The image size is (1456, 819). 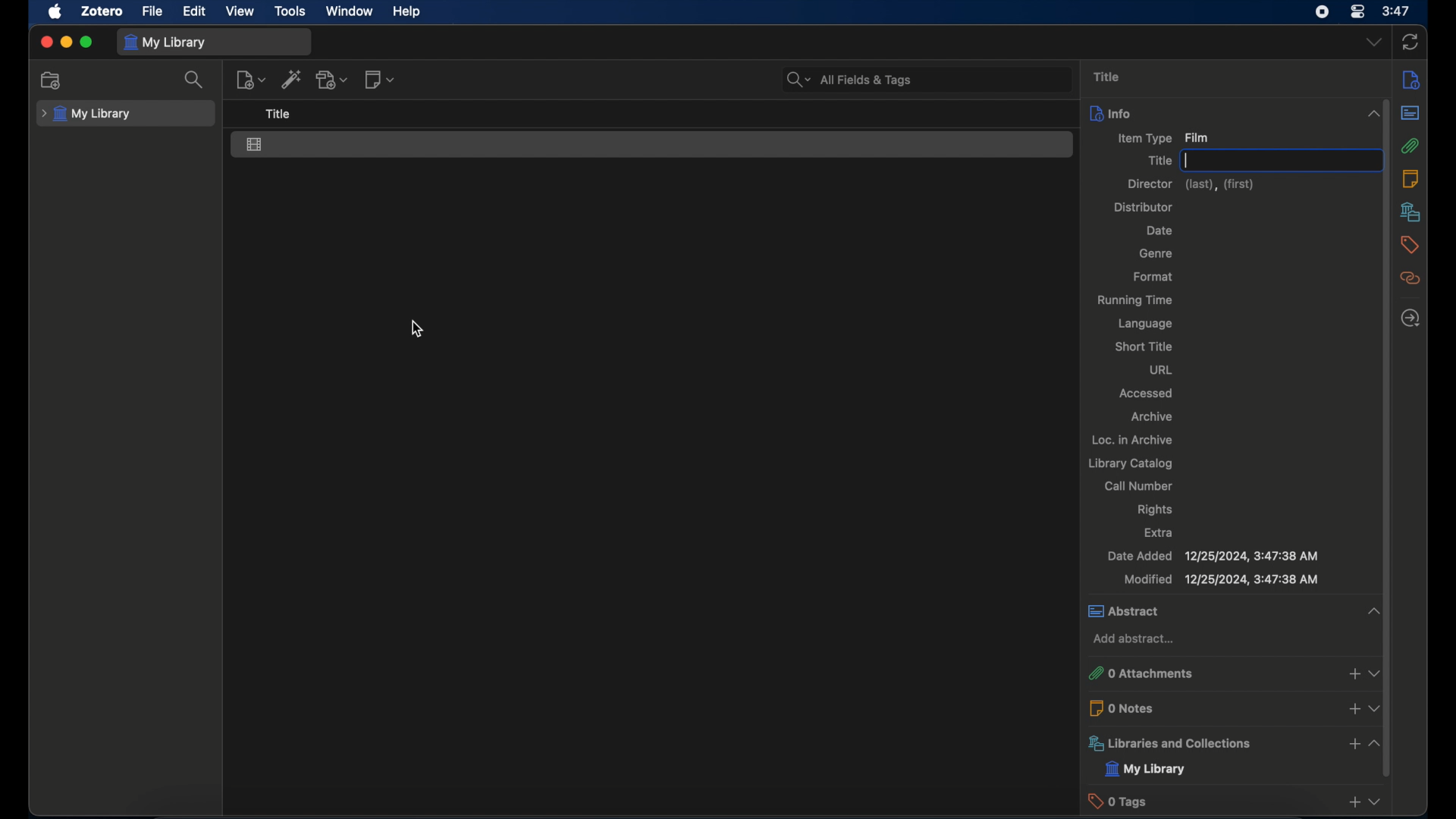 What do you see at coordinates (1196, 708) in the screenshot?
I see `0 notes` at bounding box center [1196, 708].